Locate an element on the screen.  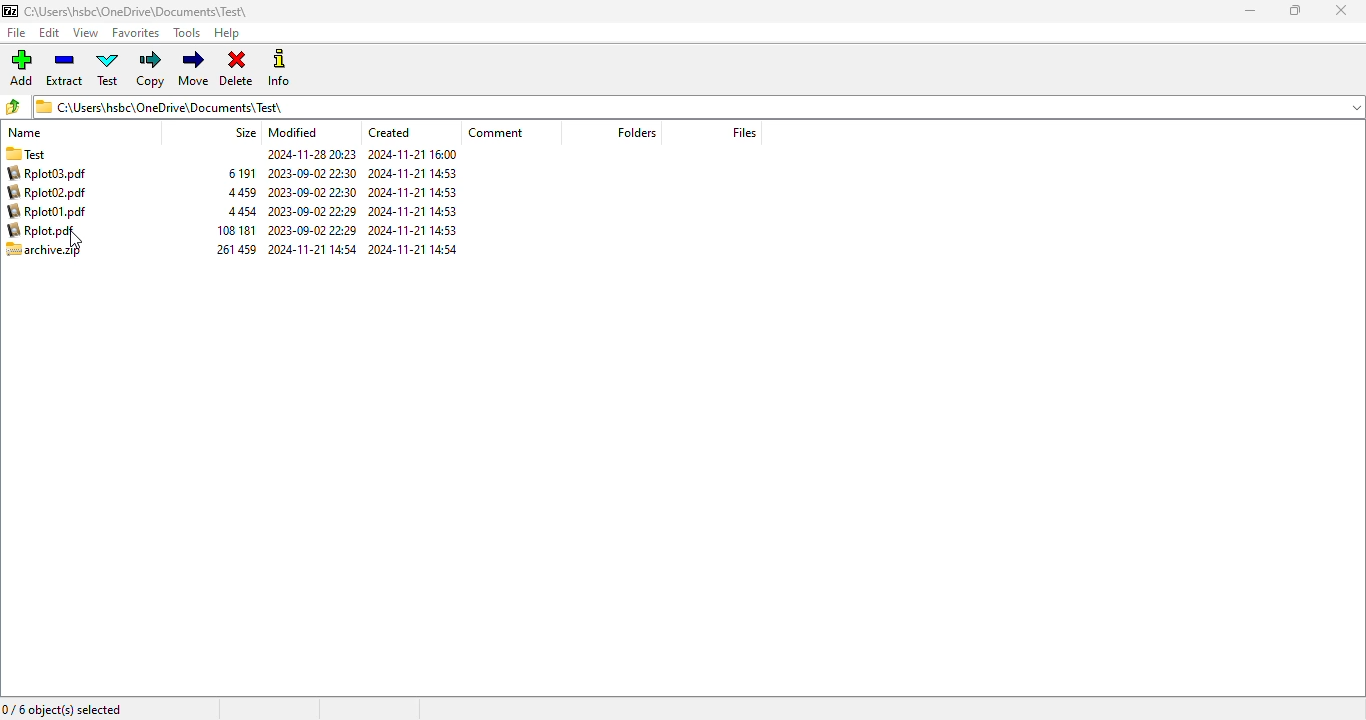
move is located at coordinates (195, 68).